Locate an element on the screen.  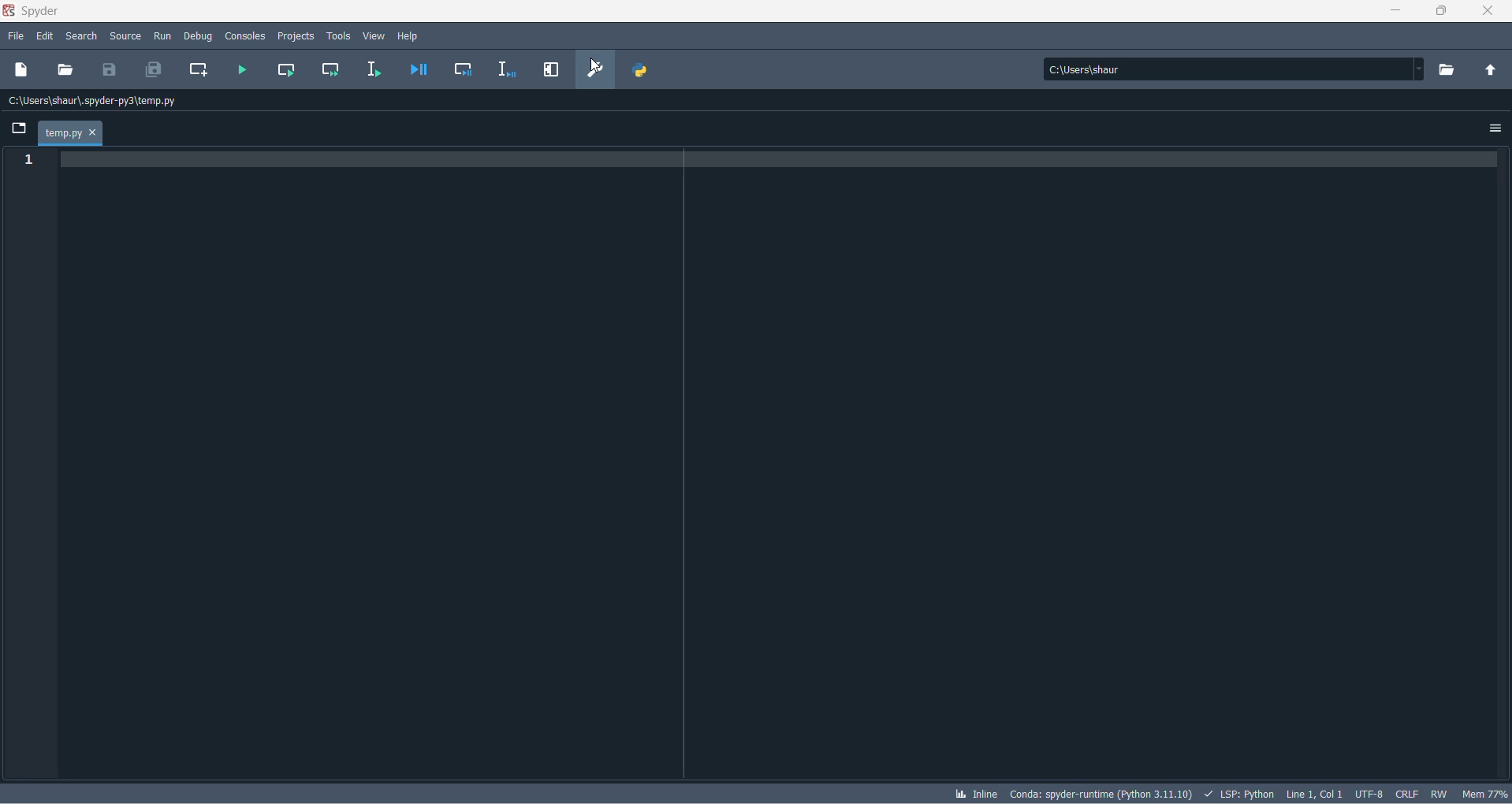
file is located at coordinates (15, 37).